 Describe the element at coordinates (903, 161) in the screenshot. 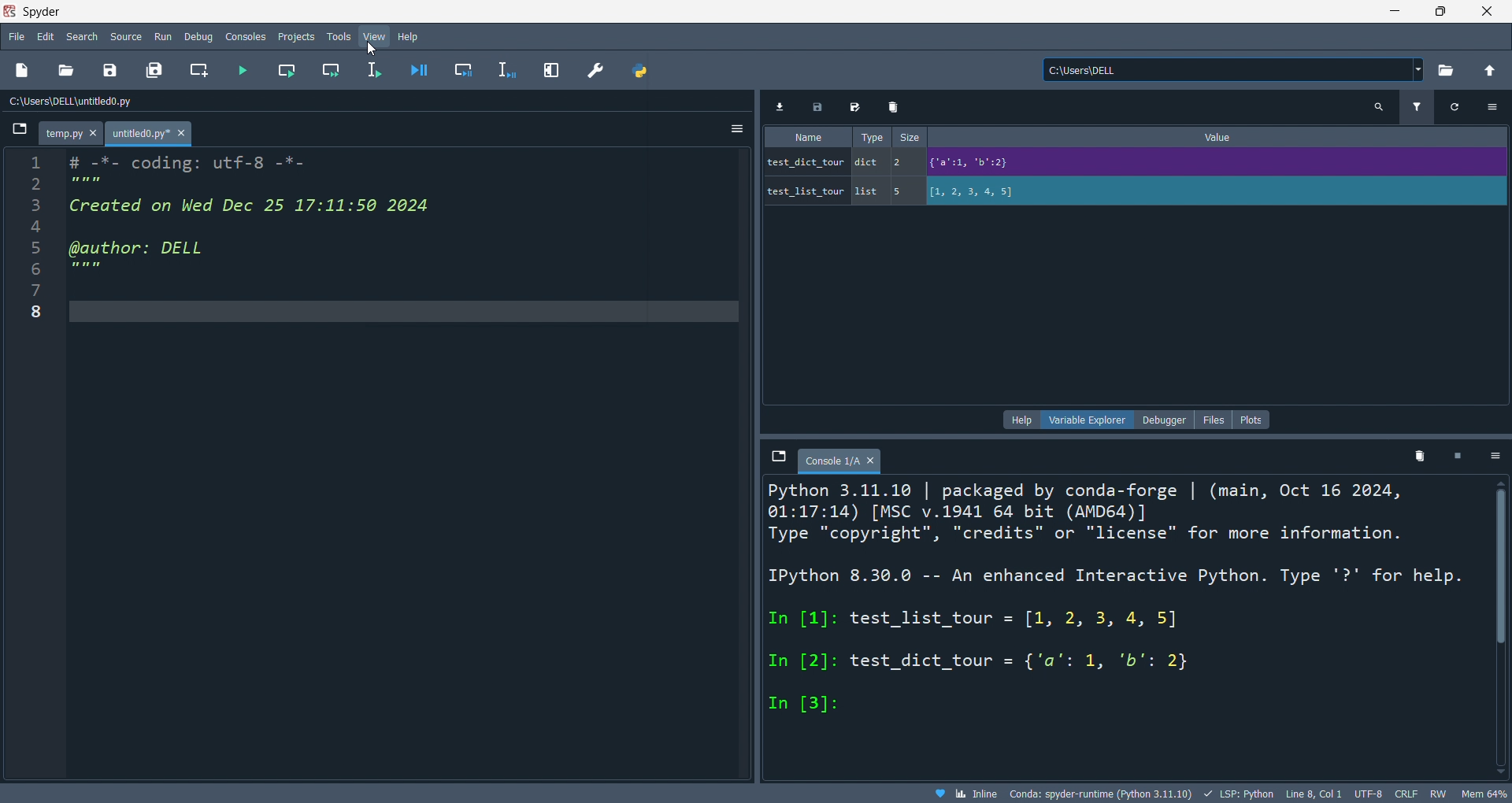

I see `2` at that location.